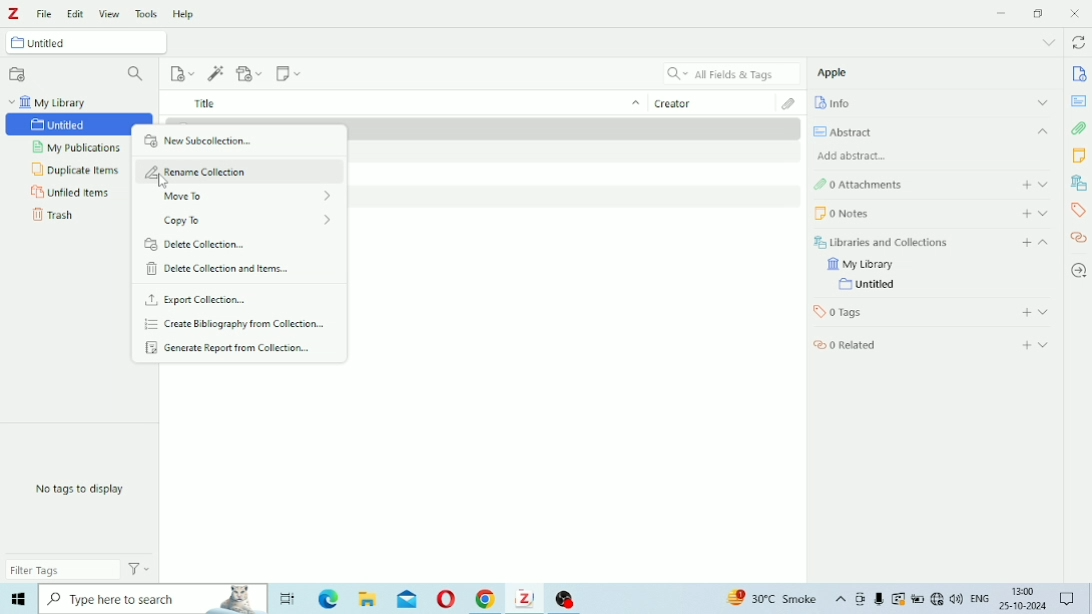 Image resolution: width=1092 pixels, height=614 pixels. What do you see at coordinates (367, 598) in the screenshot?
I see `` at bounding box center [367, 598].